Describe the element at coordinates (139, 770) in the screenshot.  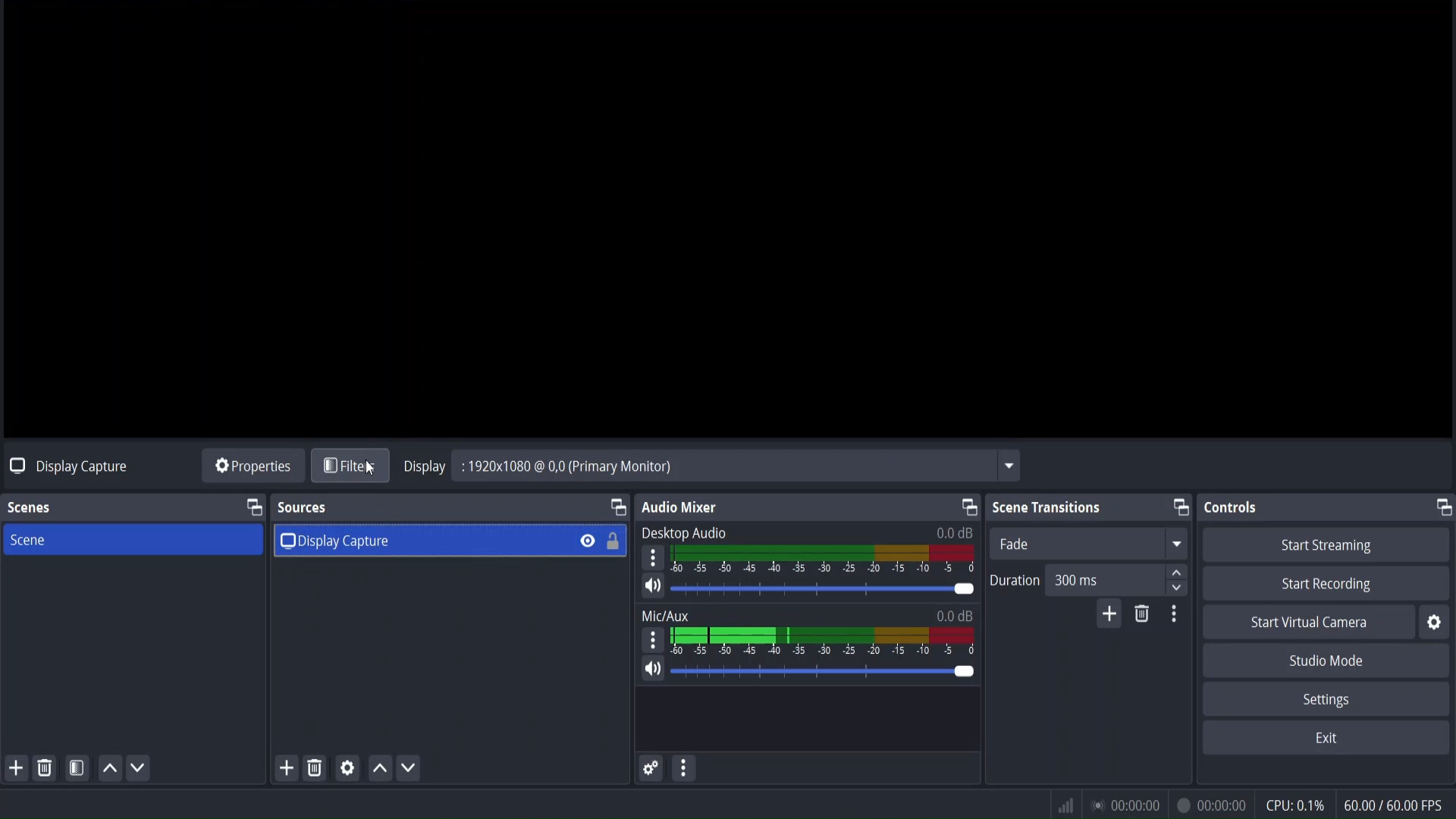
I see `move scene down` at that location.